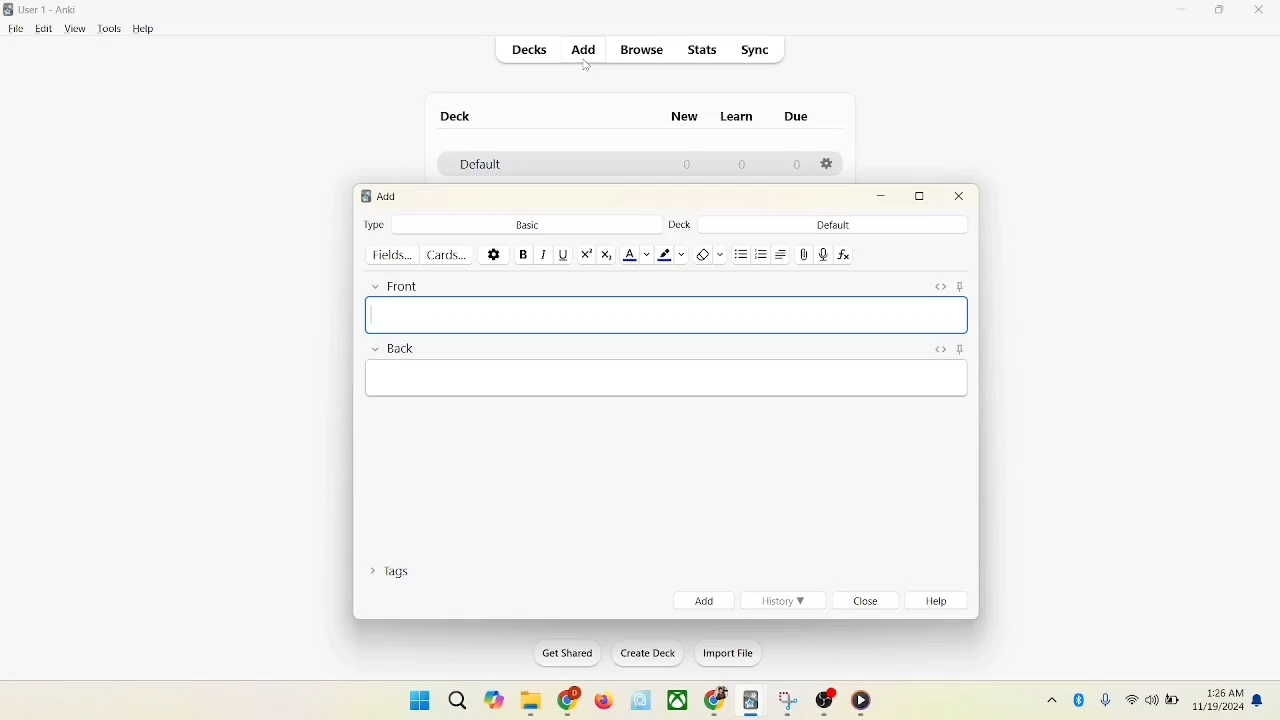 The height and width of the screenshot is (720, 1280). Describe the element at coordinates (796, 116) in the screenshot. I see `due` at that location.